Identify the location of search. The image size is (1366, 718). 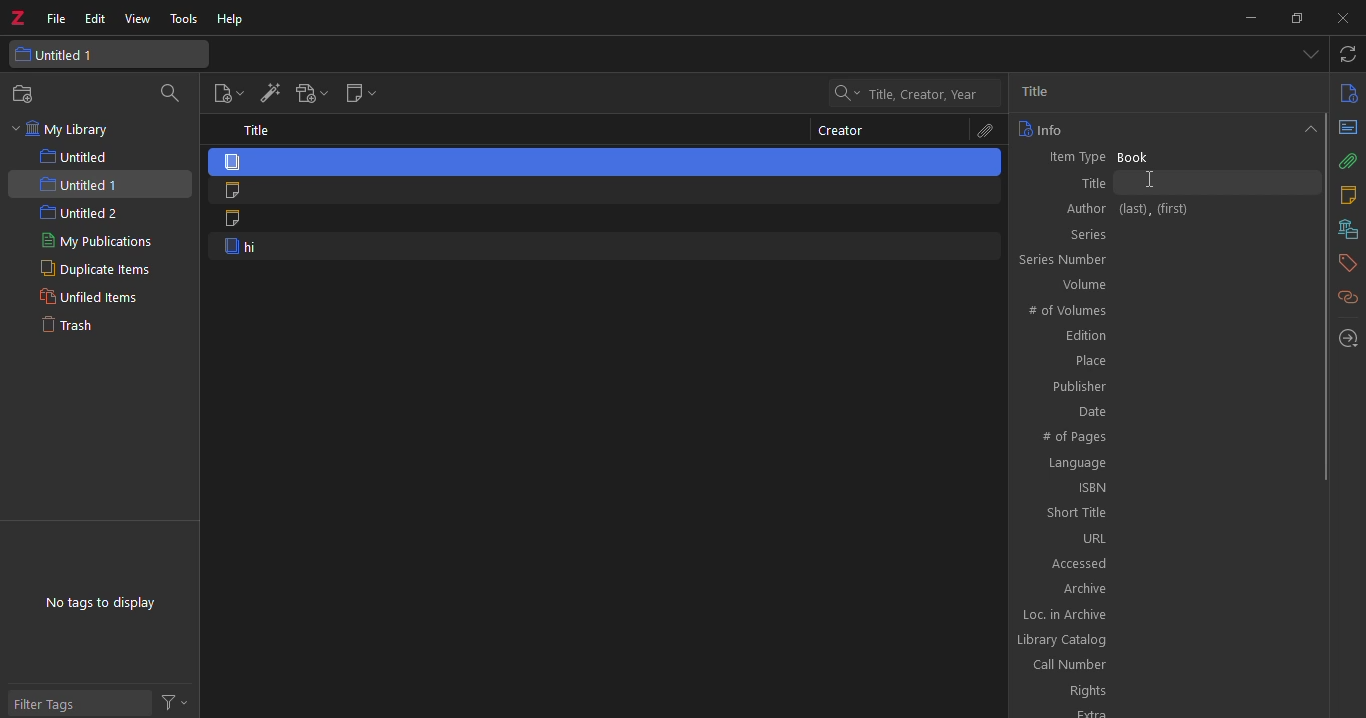
(174, 93).